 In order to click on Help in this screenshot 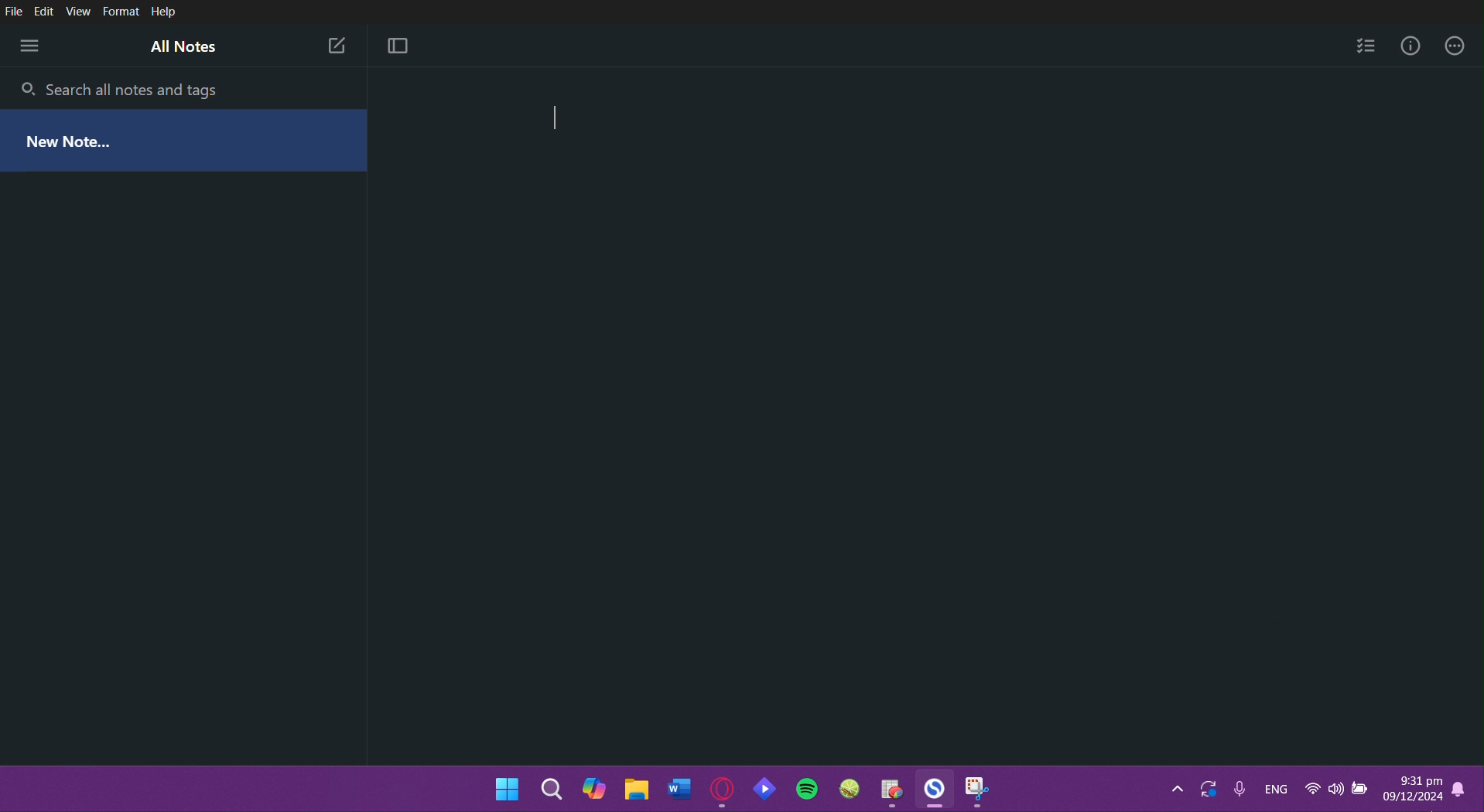, I will do `click(164, 12)`.